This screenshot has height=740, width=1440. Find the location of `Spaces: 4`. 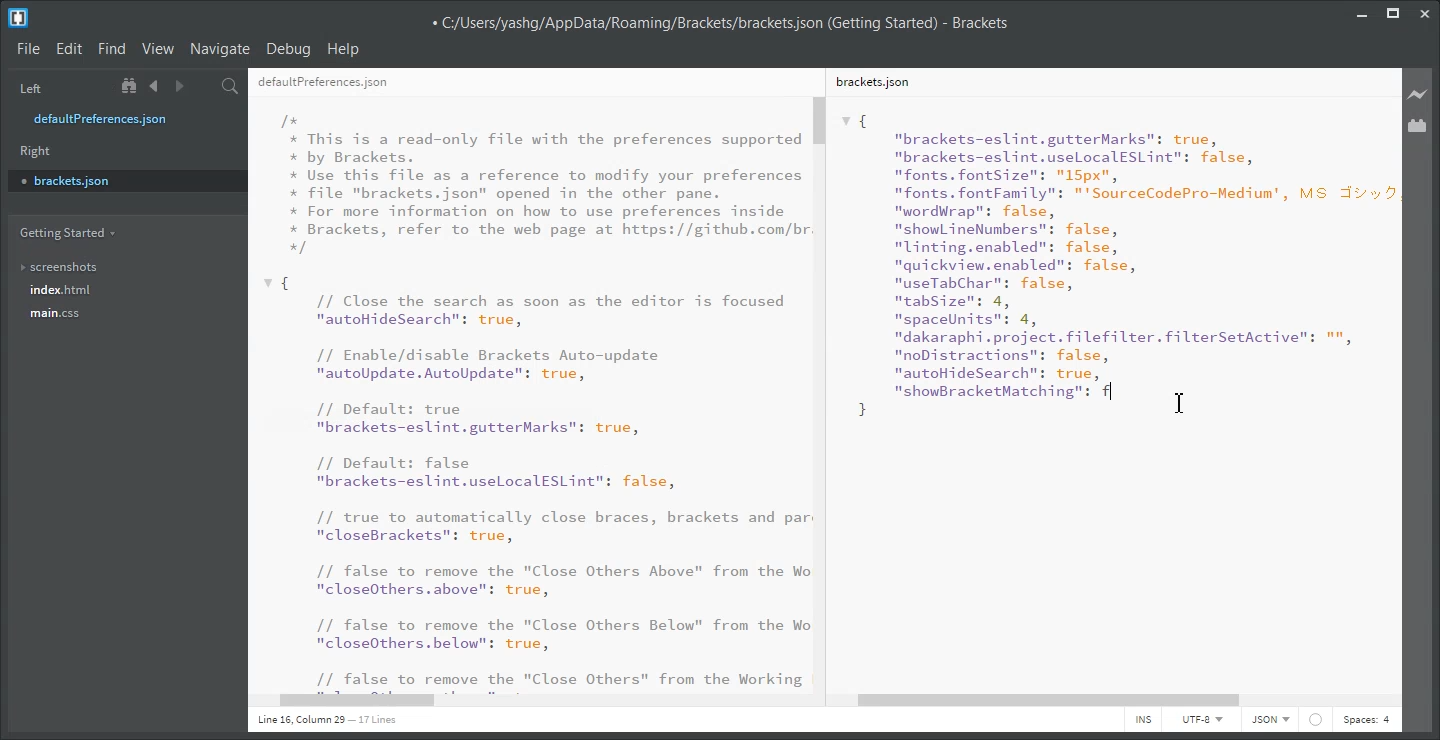

Spaces: 4 is located at coordinates (1366, 720).